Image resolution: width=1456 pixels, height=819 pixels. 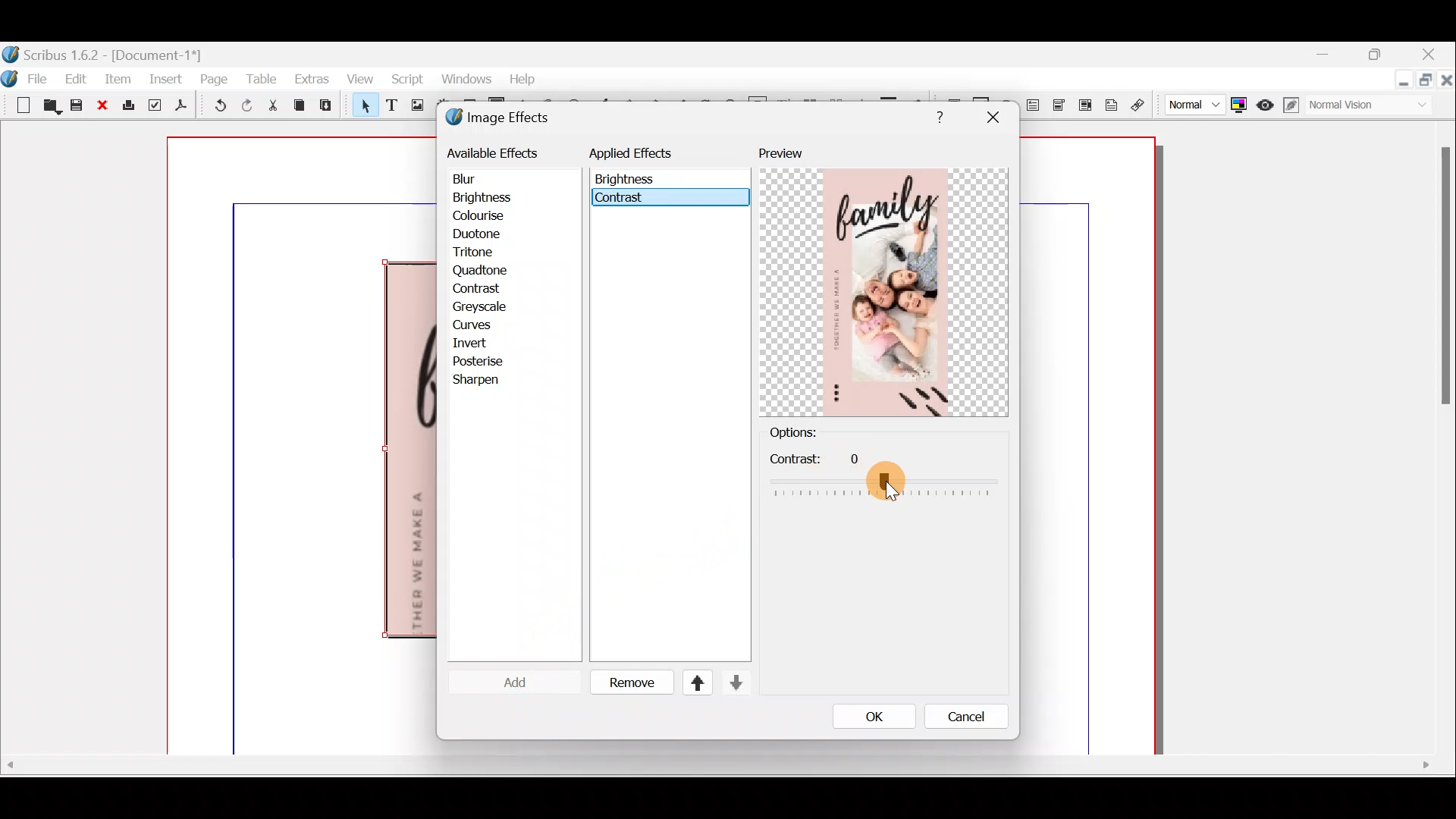 I want to click on , so click(x=1442, y=283).